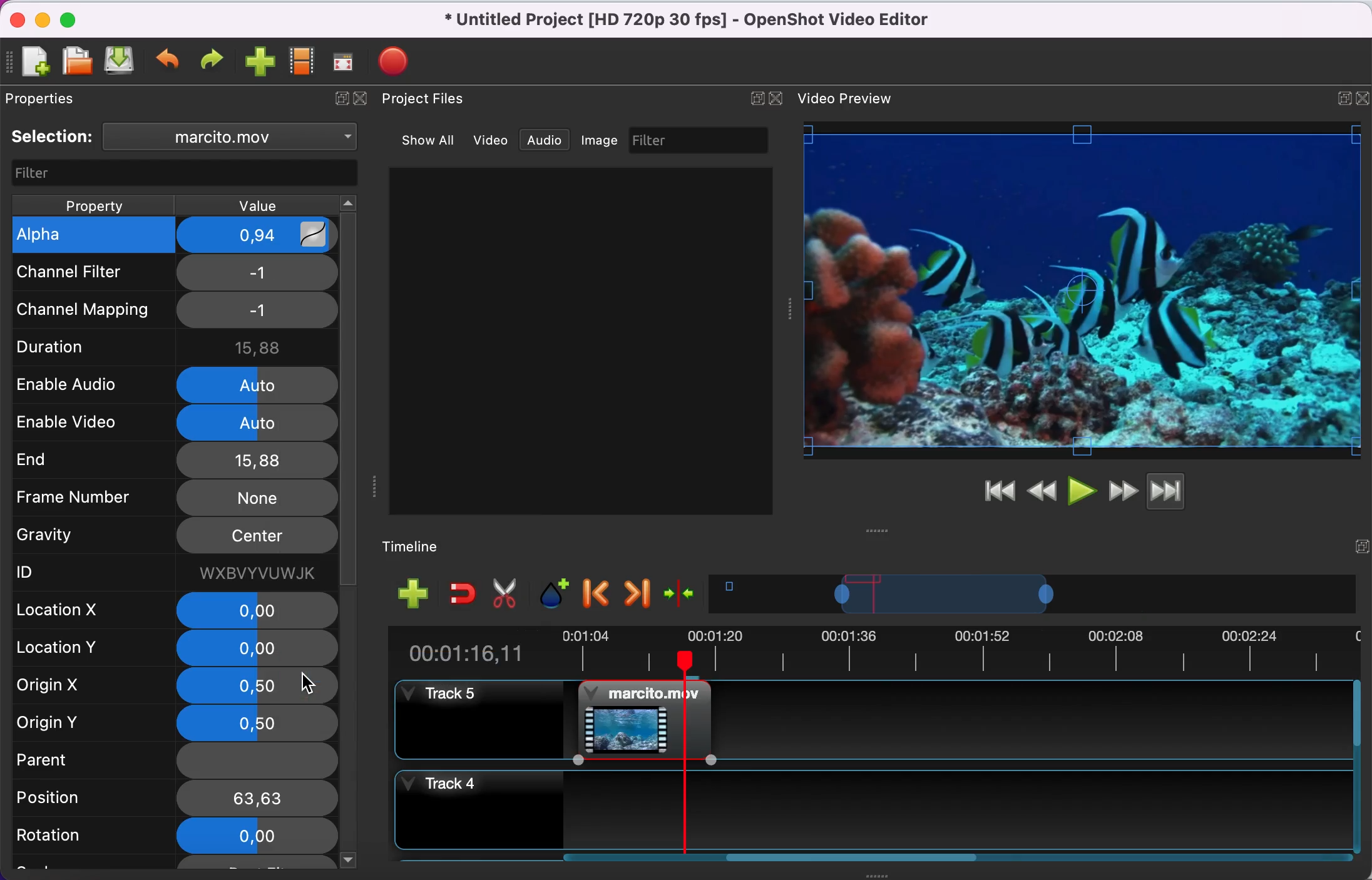 This screenshot has width=1372, height=880. Describe the element at coordinates (496, 141) in the screenshot. I see `| Video` at that location.